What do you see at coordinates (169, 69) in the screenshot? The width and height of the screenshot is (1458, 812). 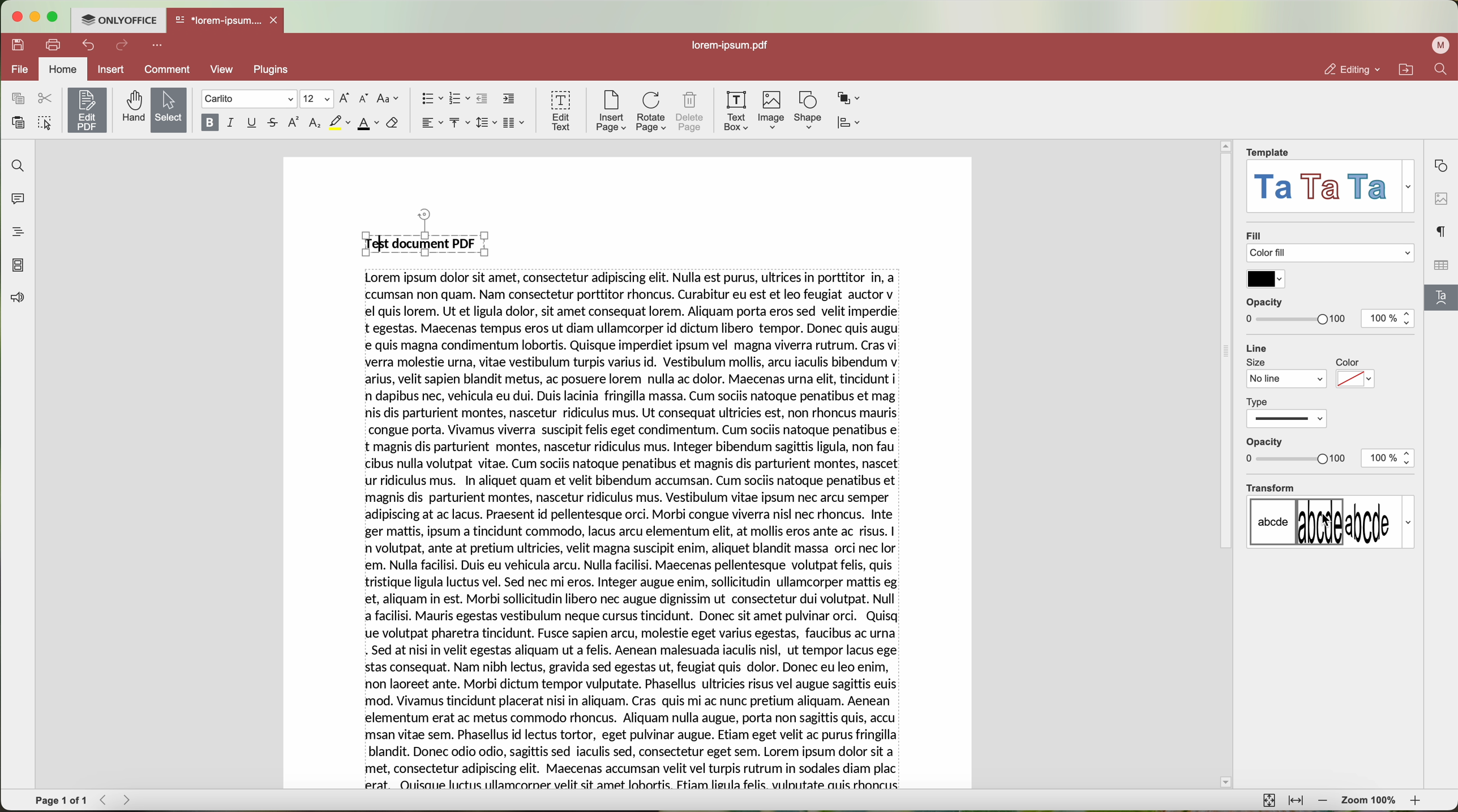 I see `comment` at bounding box center [169, 69].